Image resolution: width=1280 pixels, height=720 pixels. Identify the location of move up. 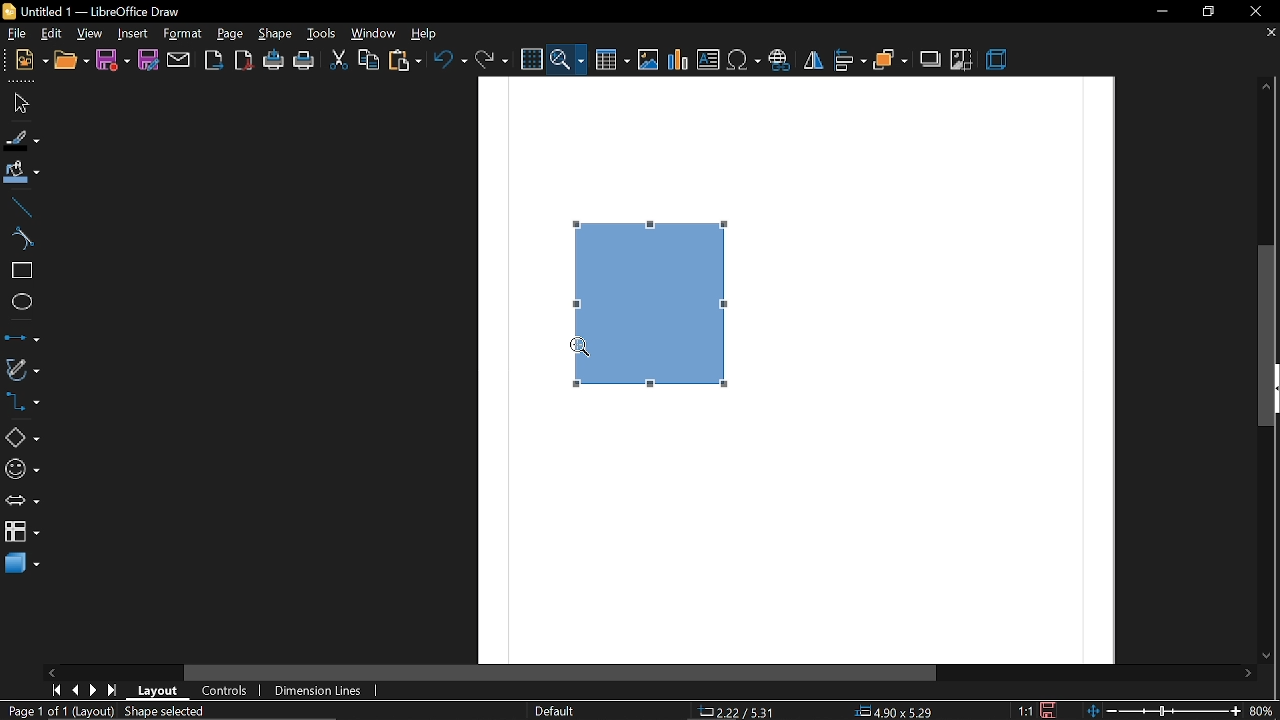
(1266, 86).